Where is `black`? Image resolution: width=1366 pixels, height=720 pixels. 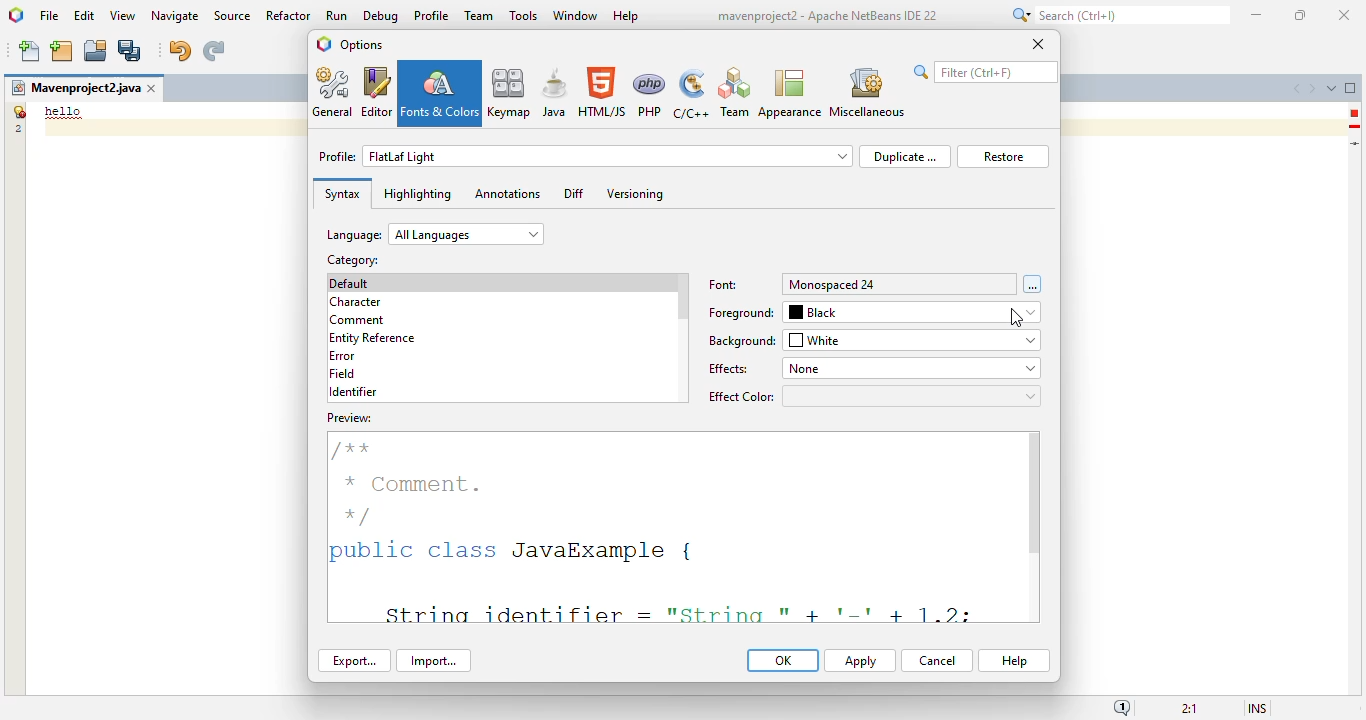 black is located at coordinates (914, 313).